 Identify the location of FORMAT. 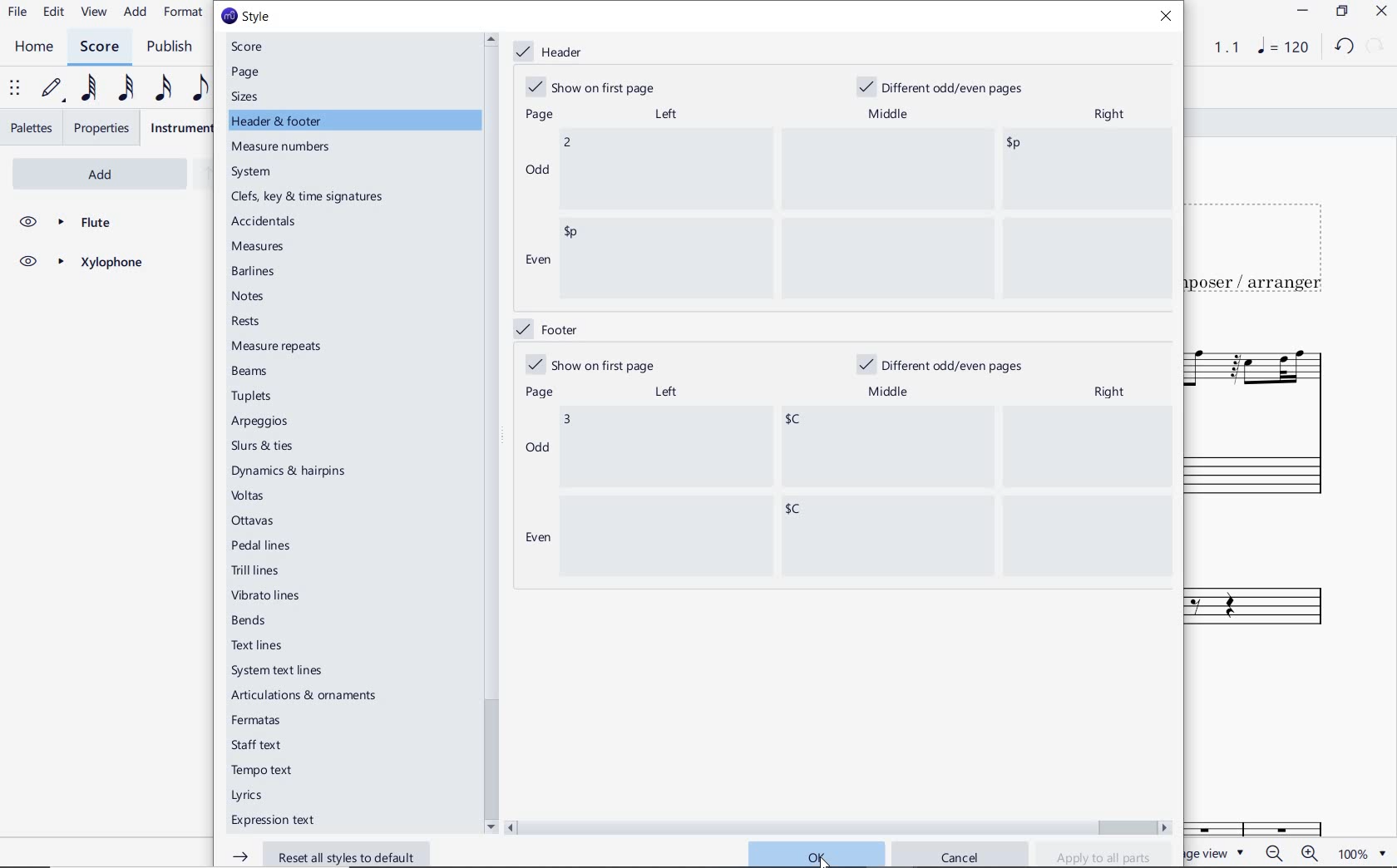
(184, 13).